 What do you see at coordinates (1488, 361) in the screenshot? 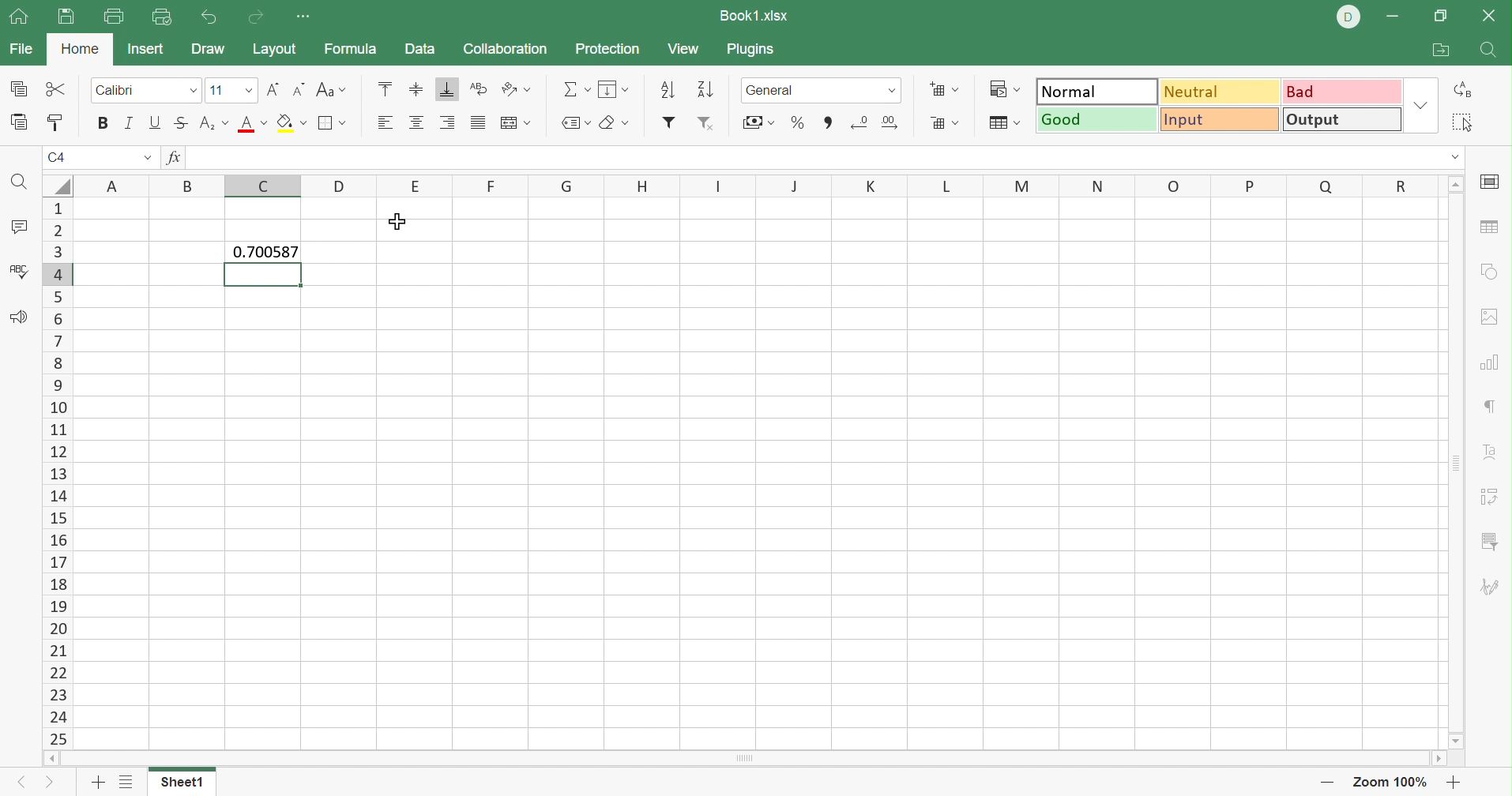
I see `Chart settings` at bounding box center [1488, 361].